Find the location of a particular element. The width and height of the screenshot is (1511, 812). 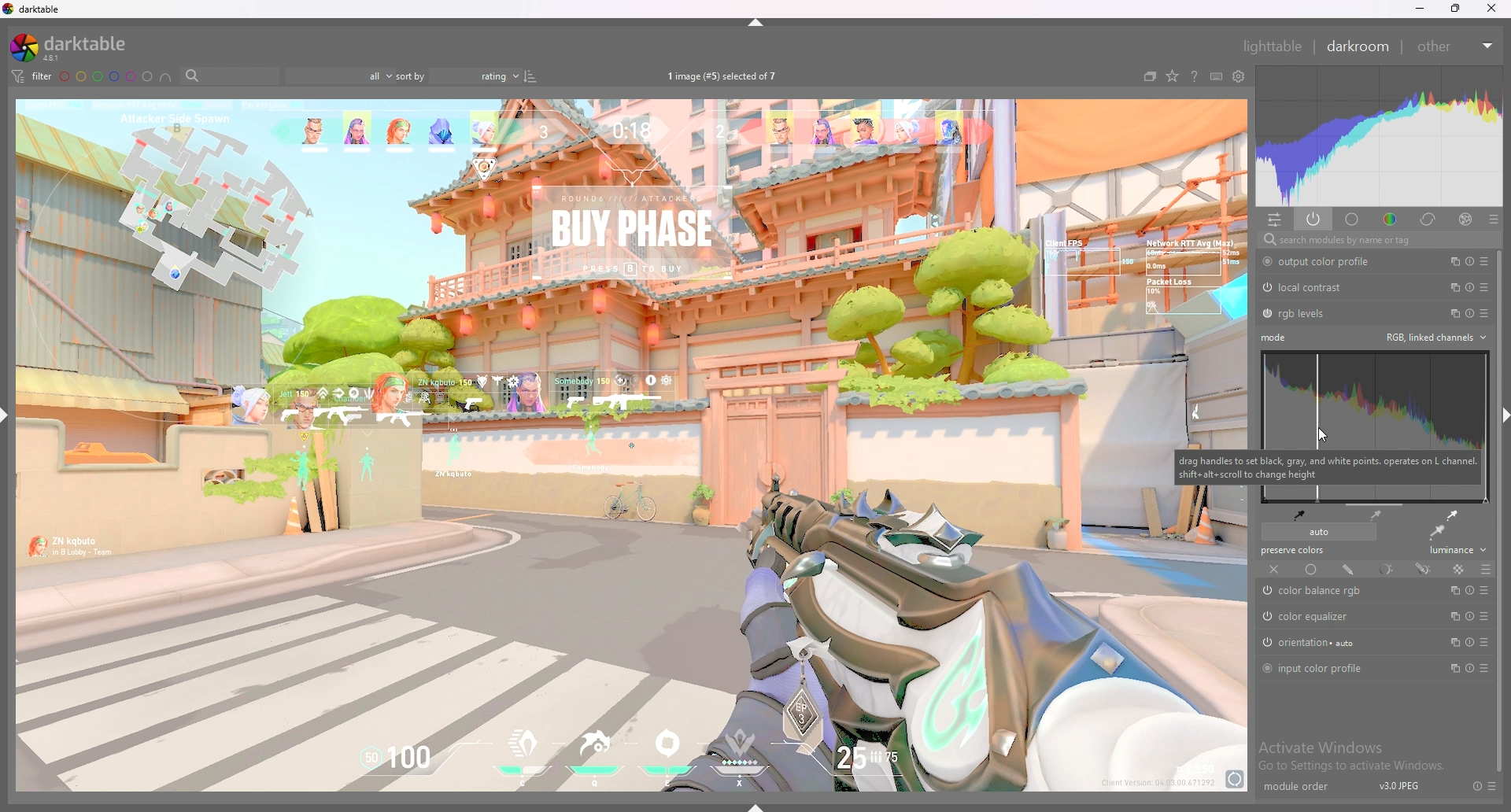

parametric mask is located at coordinates (1385, 569).